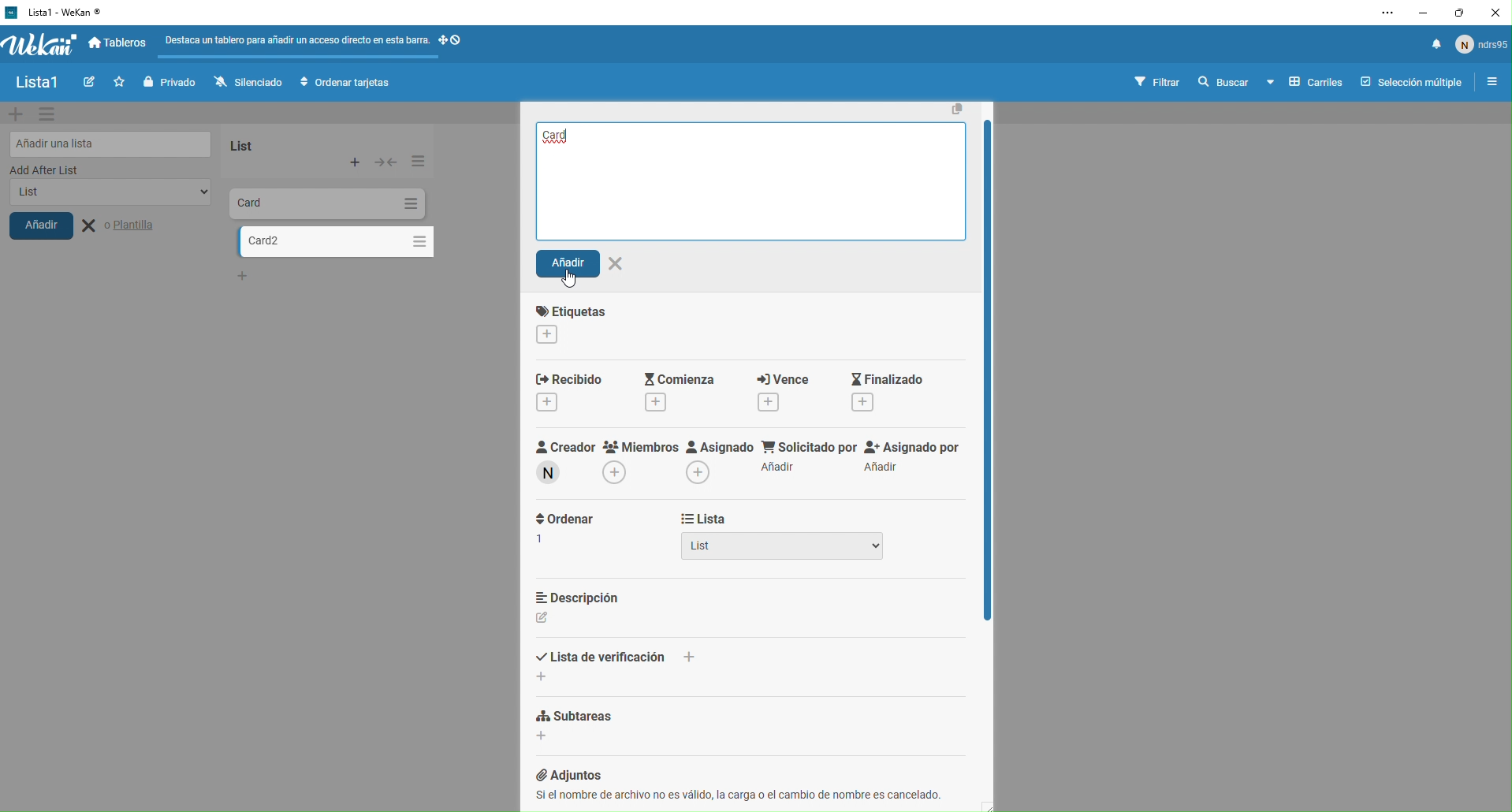 The image size is (1512, 812). I want to click on lista de verification, so click(618, 664).